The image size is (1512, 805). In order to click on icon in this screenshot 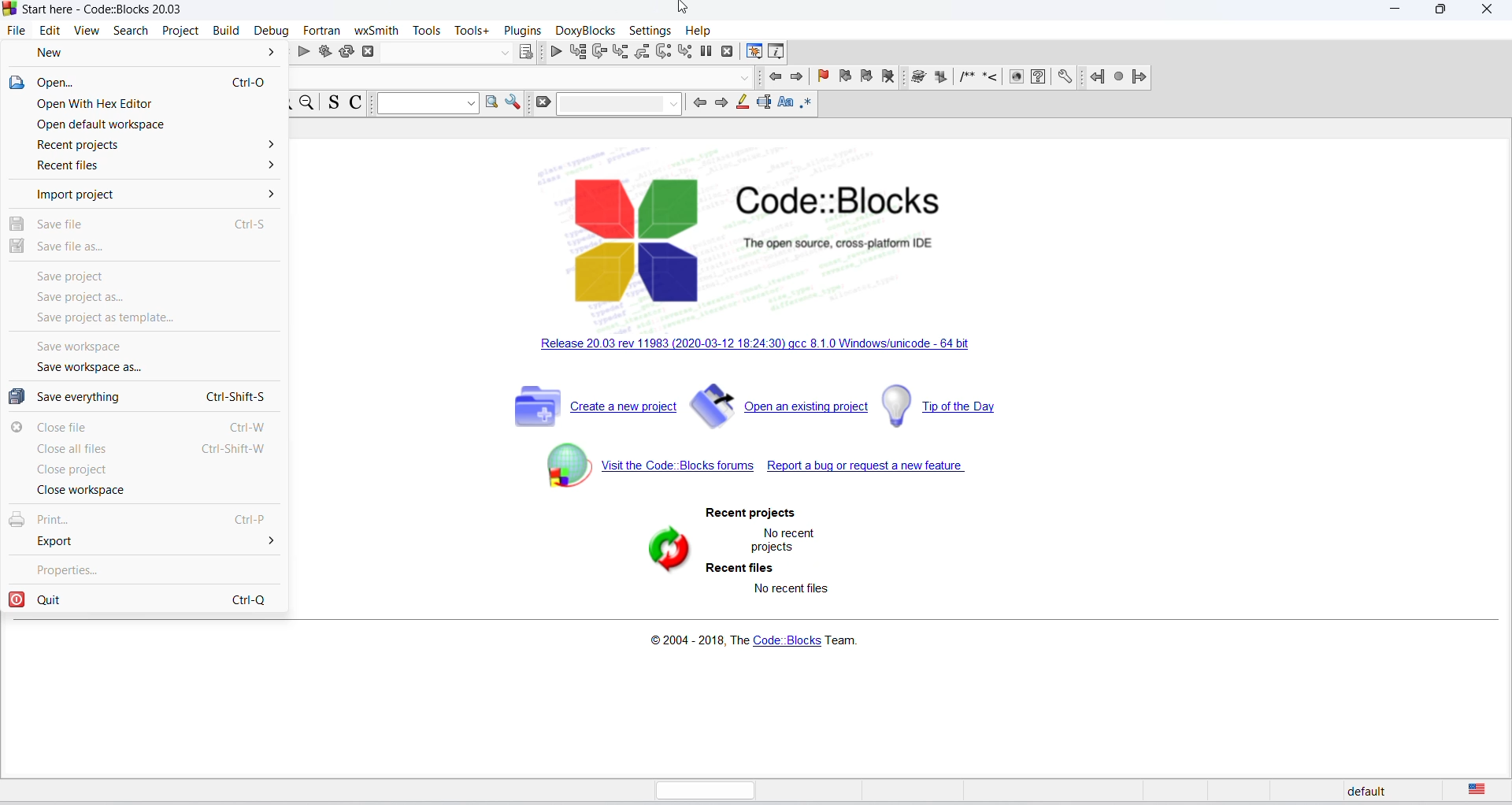, I will do `click(943, 77)`.